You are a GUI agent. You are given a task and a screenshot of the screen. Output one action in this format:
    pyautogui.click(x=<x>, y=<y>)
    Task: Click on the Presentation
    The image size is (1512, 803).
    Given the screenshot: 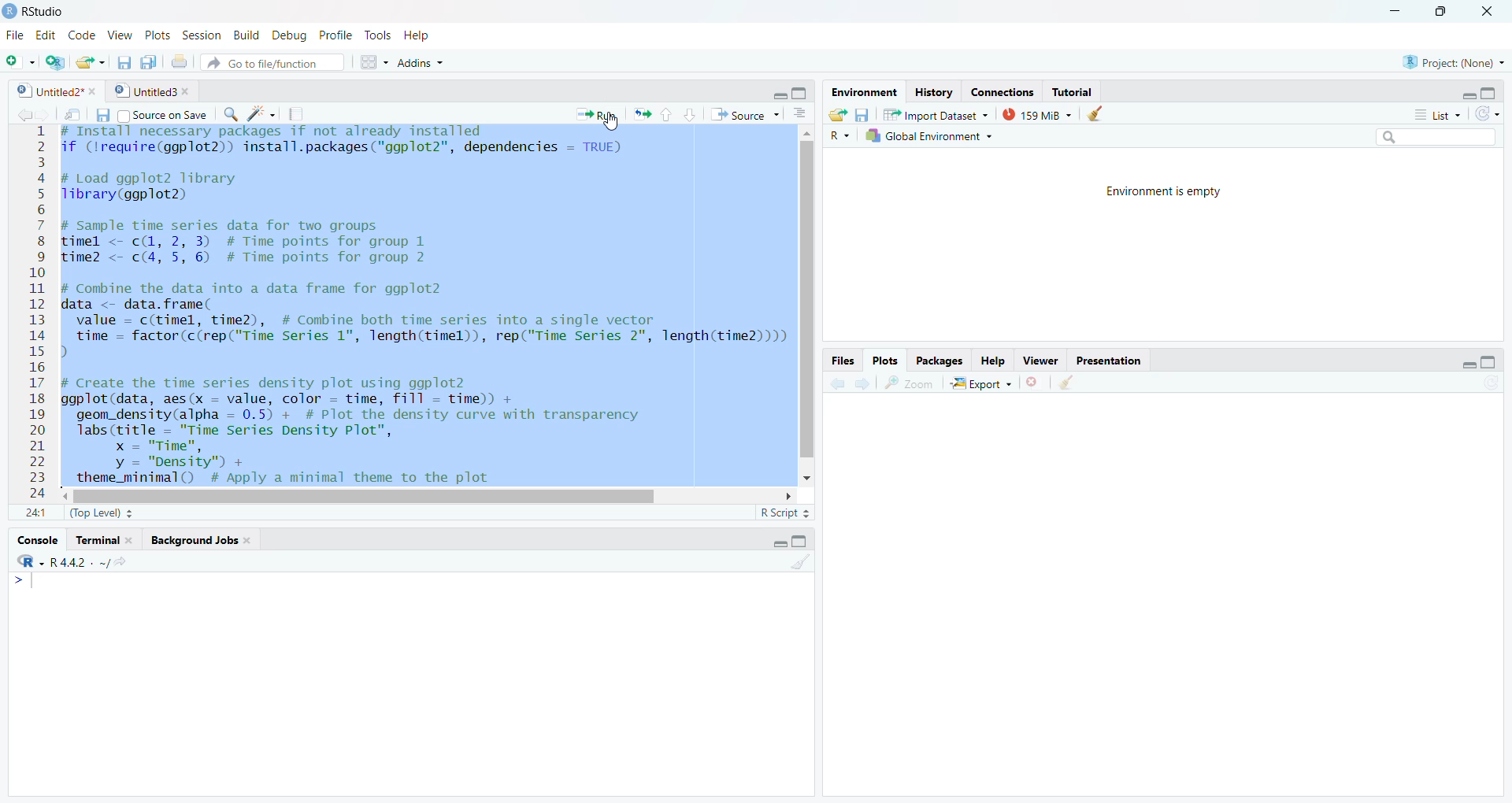 What is the action you would take?
    pyautogui.click(x=1106, y=361)
    